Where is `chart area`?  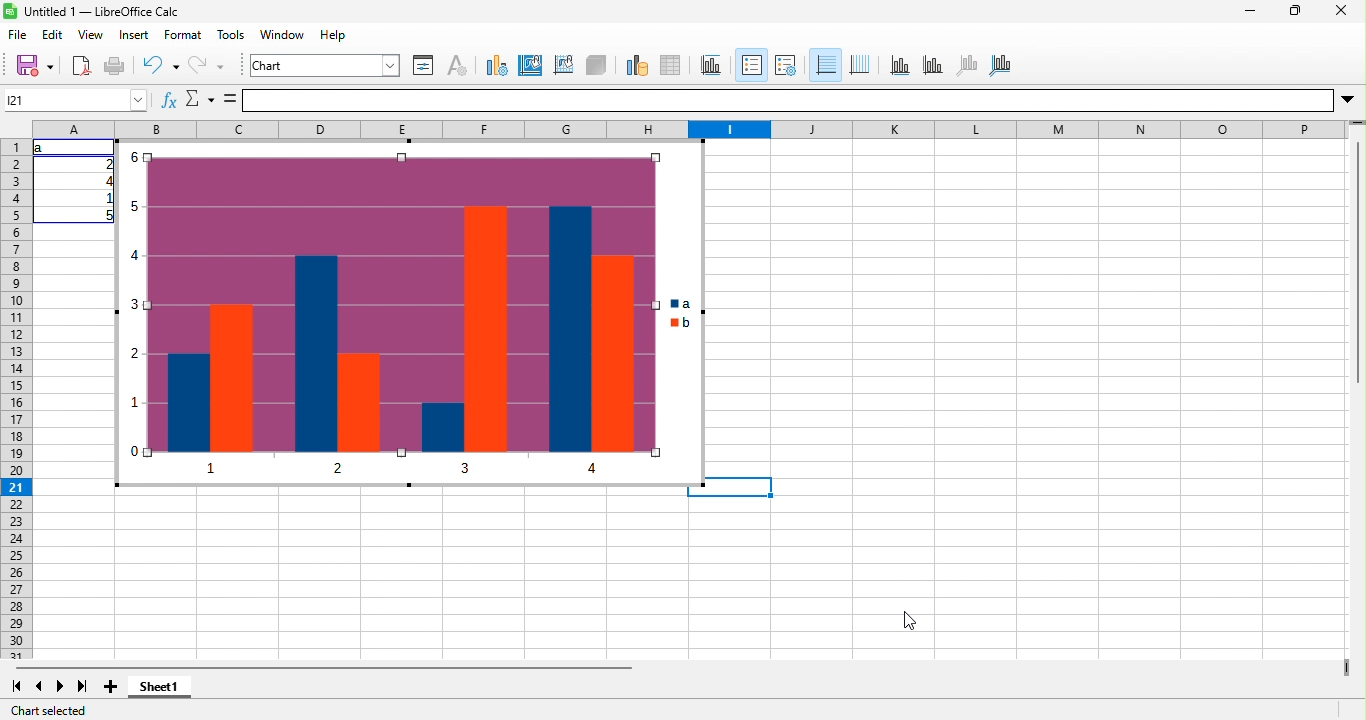
chart area is located at coordinates (531, 67).